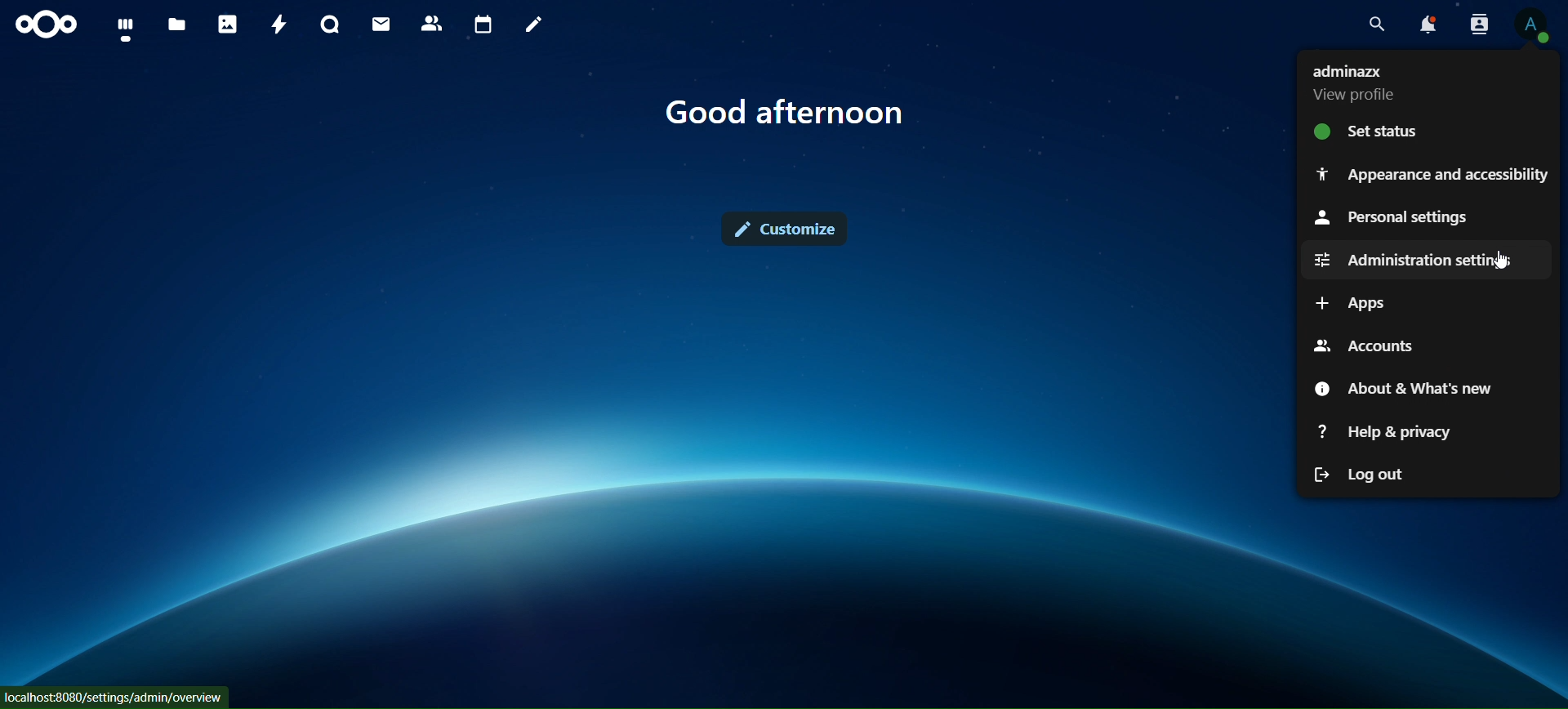 The image size is (1568, 709). Describe the element at coordinates (431, 25) in the screenshot. I see `contacts` at that location.